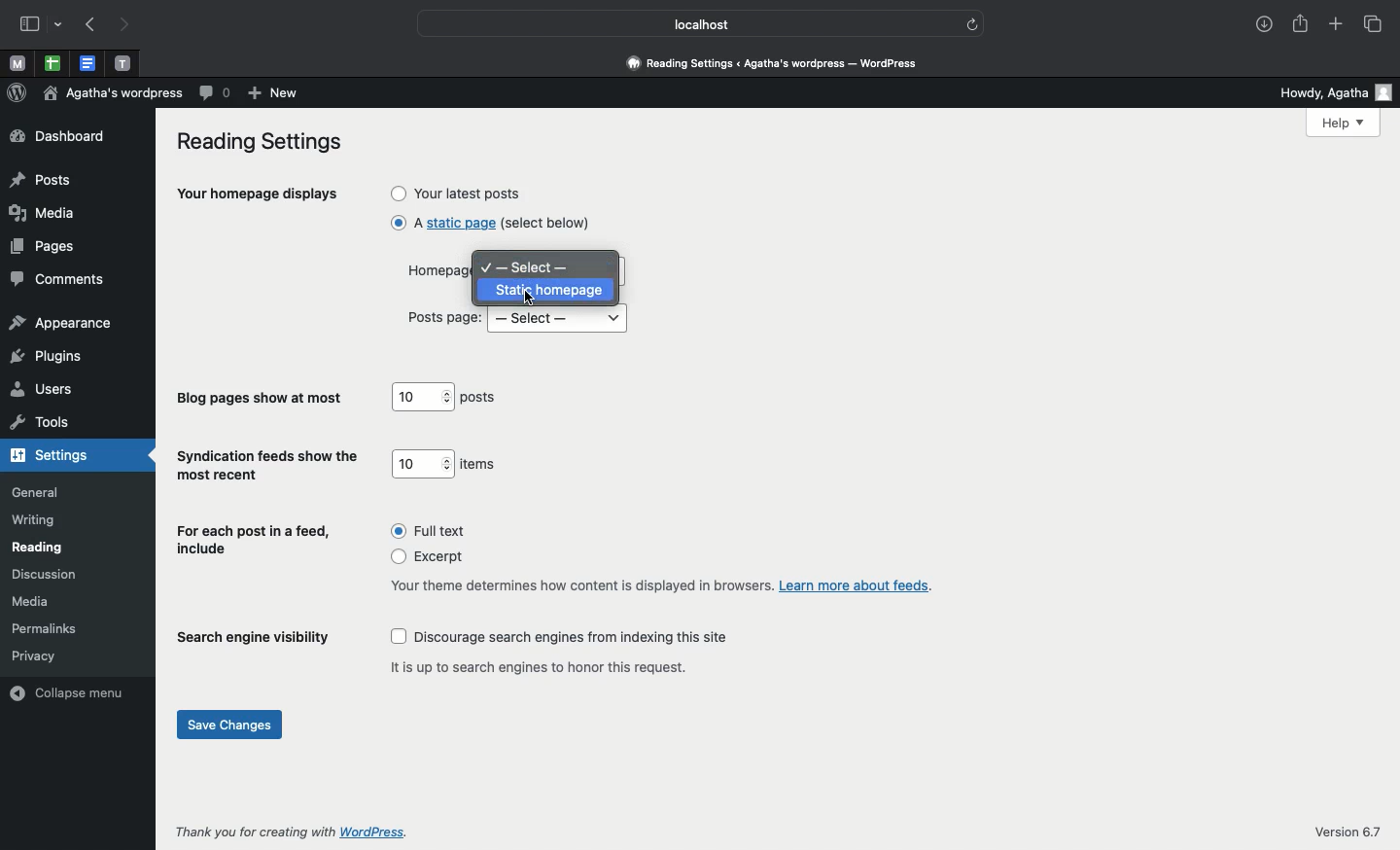 This screenshot has height=850, width=1400. Describe the element at coordinates (436, 530) in the screenshot. I see `Full text` at that location.